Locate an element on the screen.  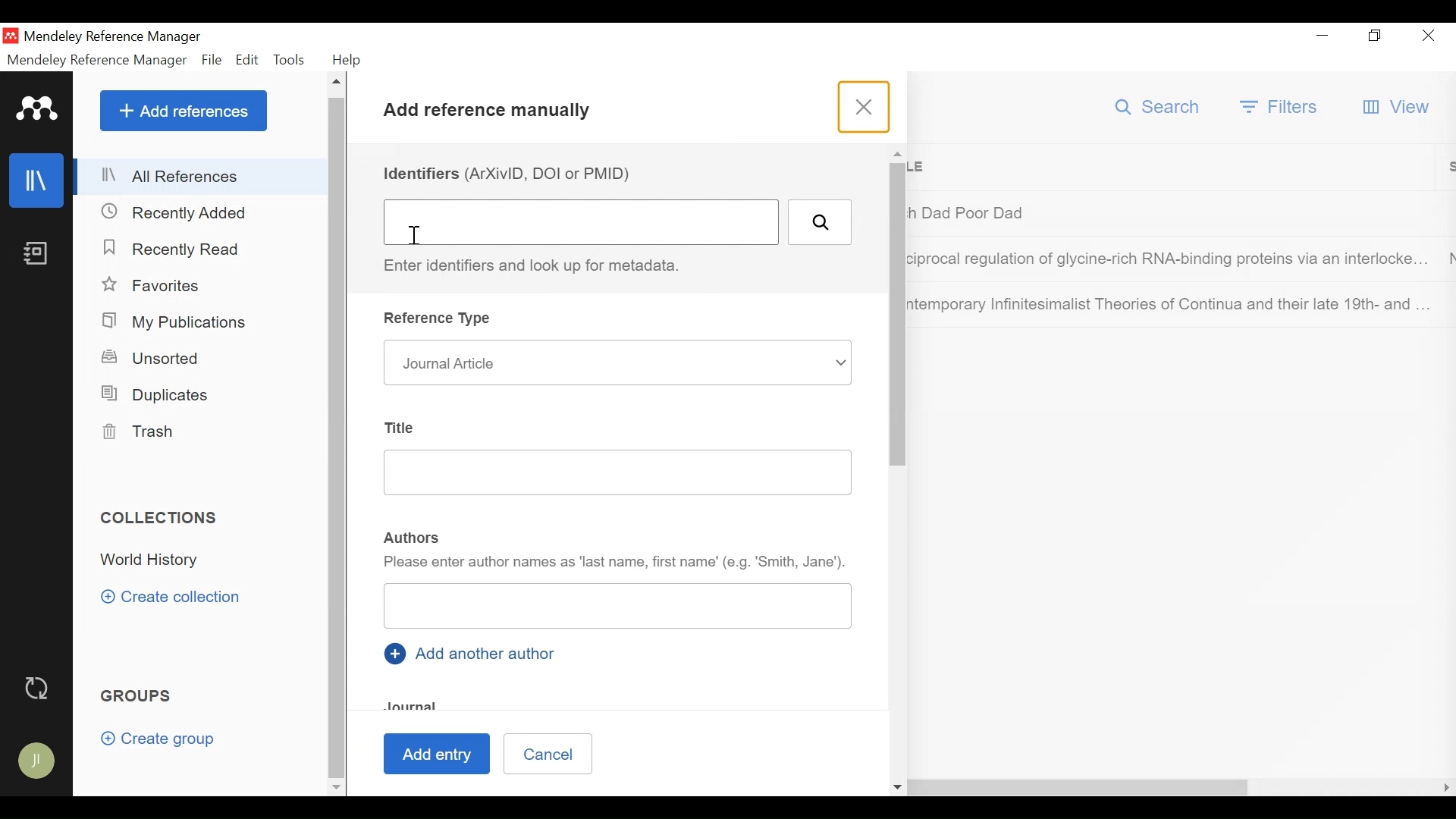
Favorites is located at coordinates (152, 284).